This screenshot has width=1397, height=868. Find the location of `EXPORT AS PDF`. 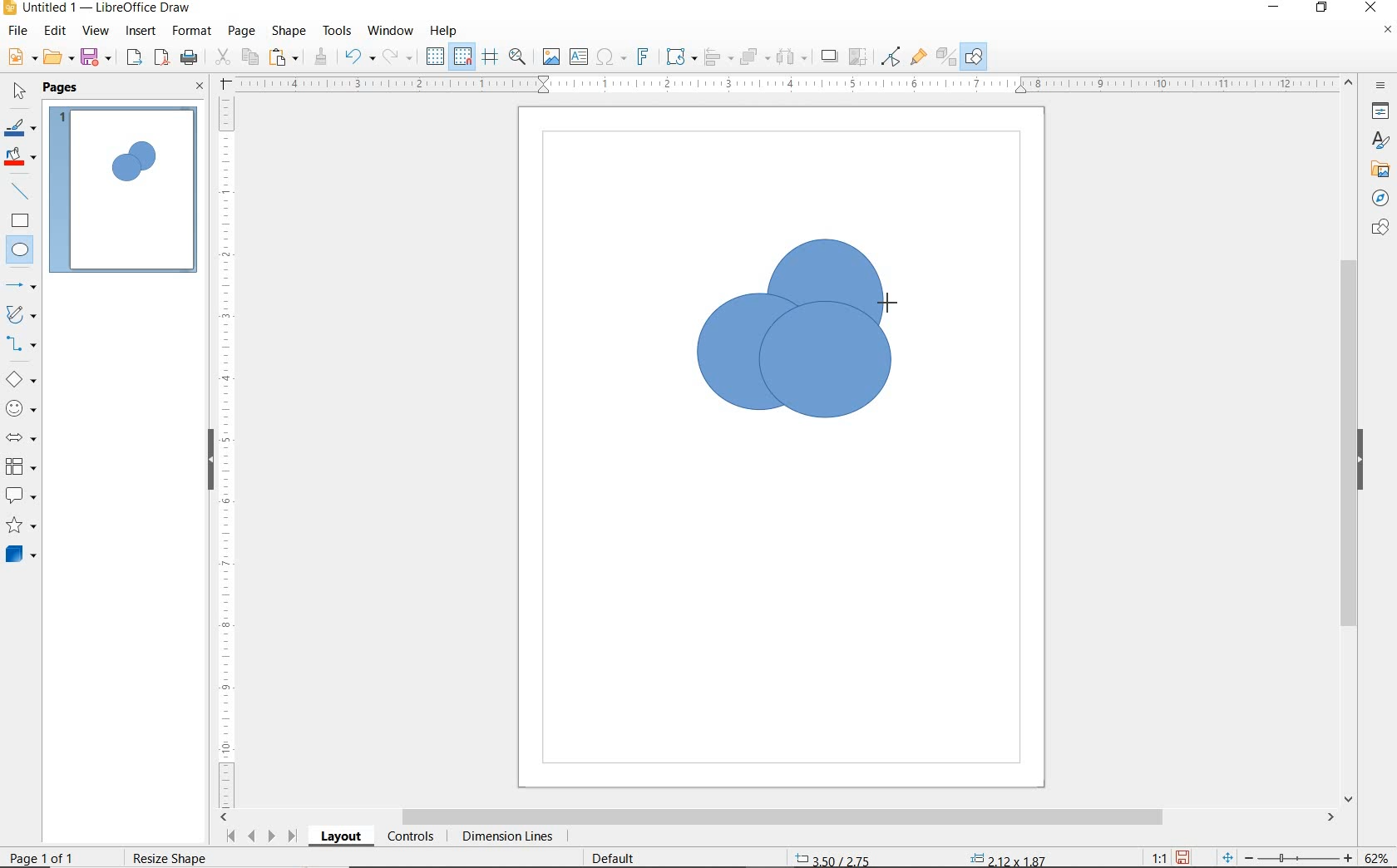

EXPORT AS PDF is located at coordinates (162, 59).